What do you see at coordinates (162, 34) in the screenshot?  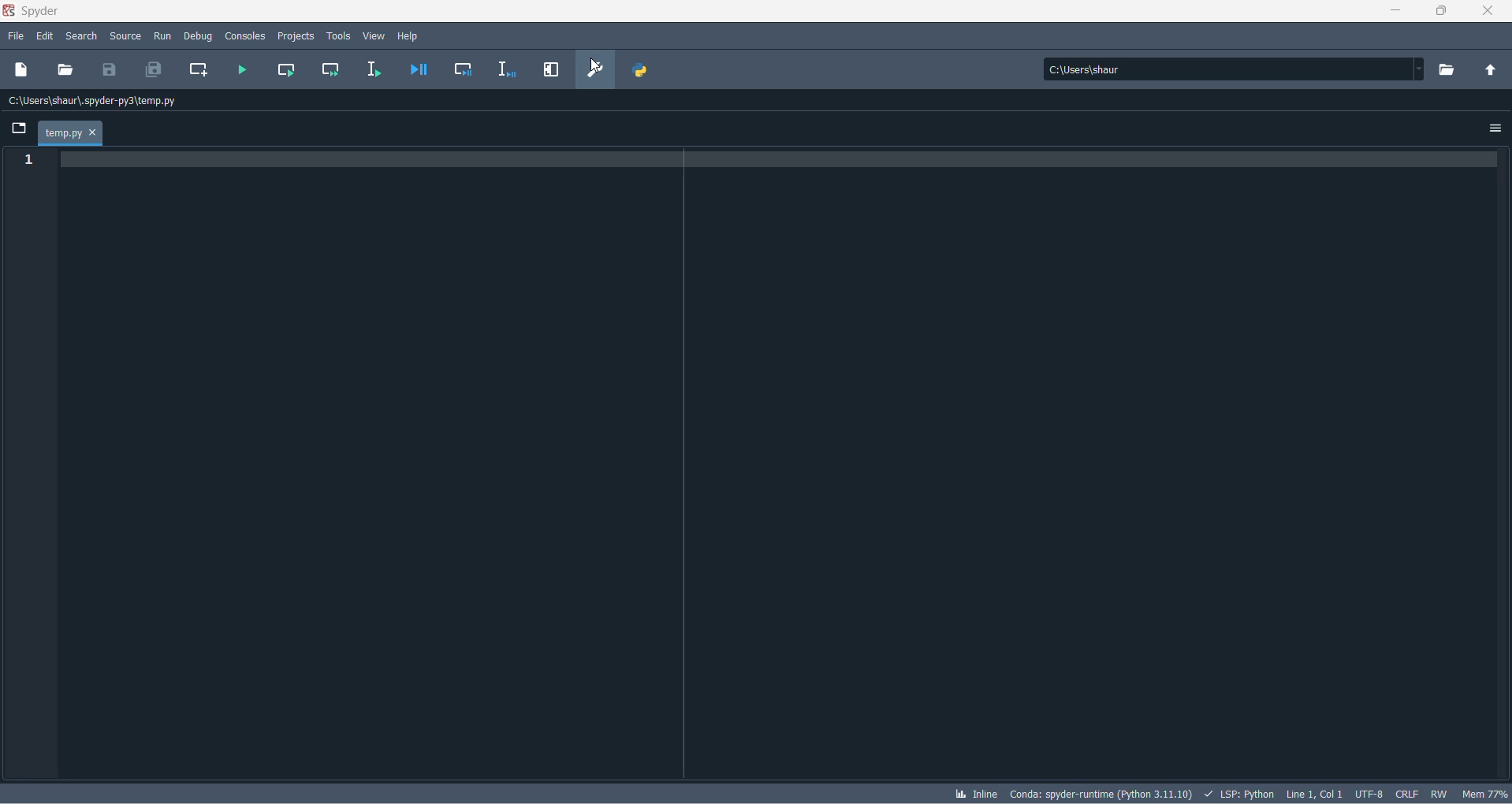 I see `run` at bounding box center [162, 34].